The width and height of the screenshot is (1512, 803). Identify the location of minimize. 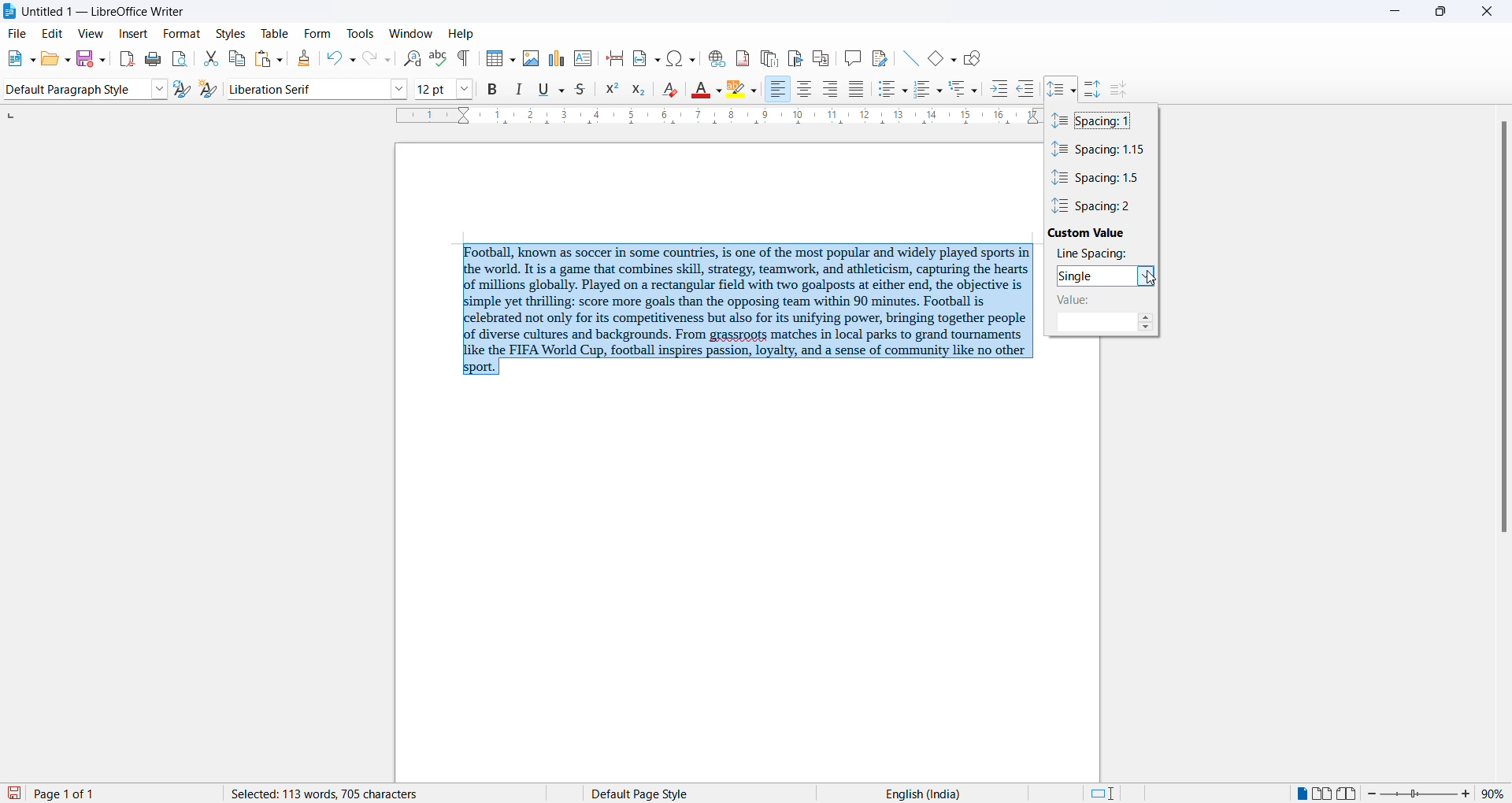
(1388, 12).